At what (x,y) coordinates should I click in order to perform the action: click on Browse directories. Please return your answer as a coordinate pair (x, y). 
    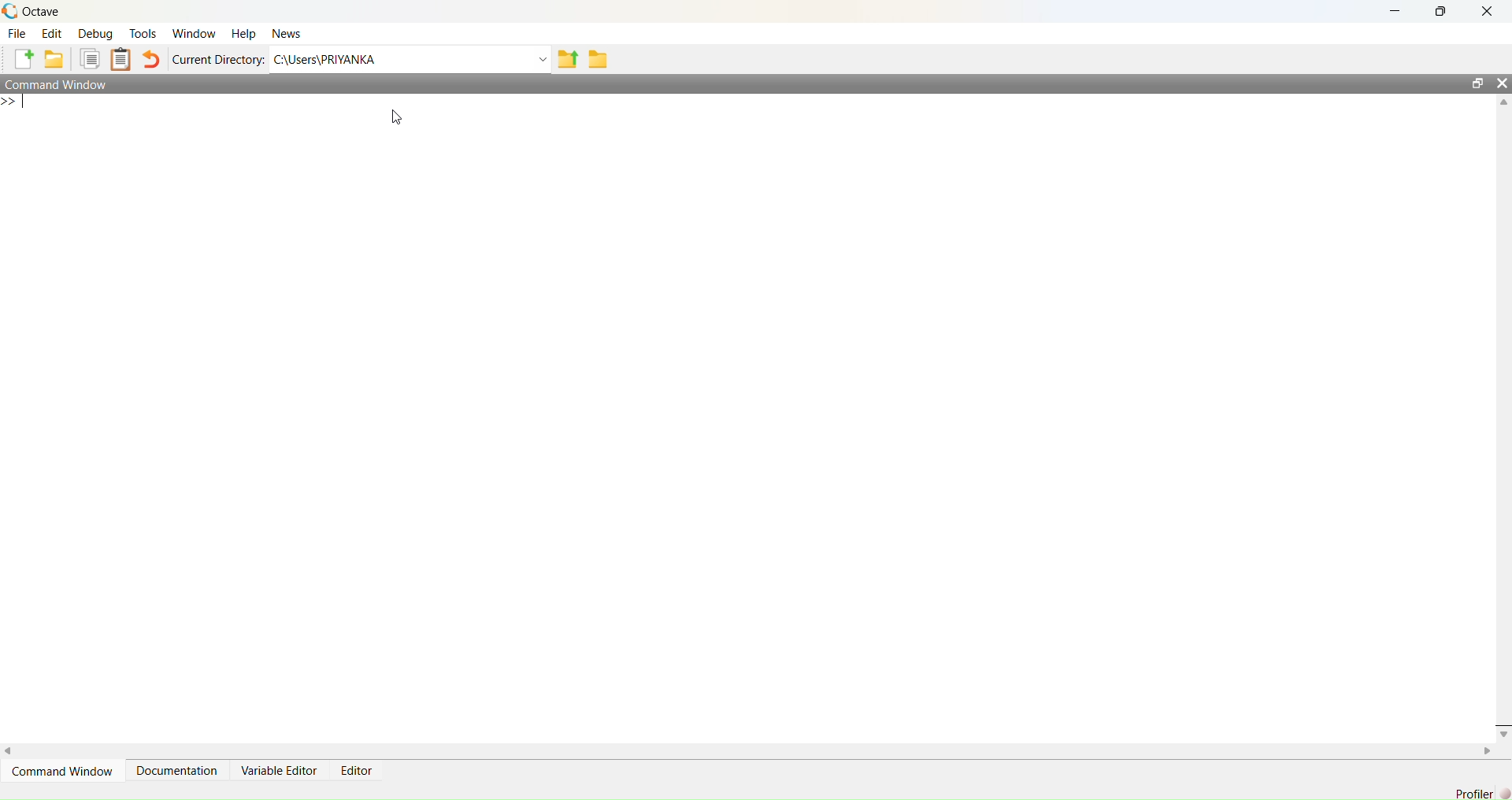
    Looking at the image, I should click on (596, 59).